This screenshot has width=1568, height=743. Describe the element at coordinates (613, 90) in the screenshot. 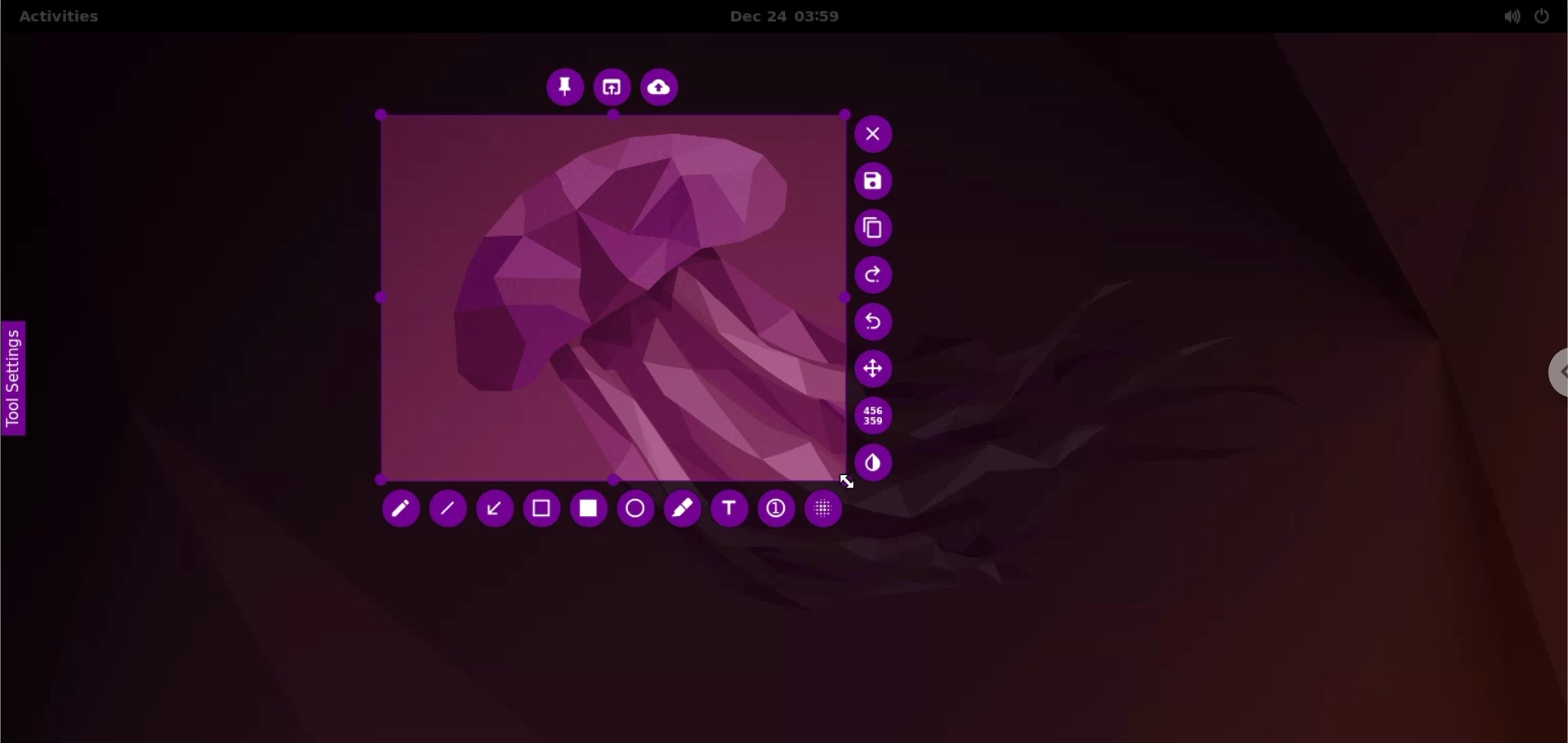

I see `choose app to open` at that location.